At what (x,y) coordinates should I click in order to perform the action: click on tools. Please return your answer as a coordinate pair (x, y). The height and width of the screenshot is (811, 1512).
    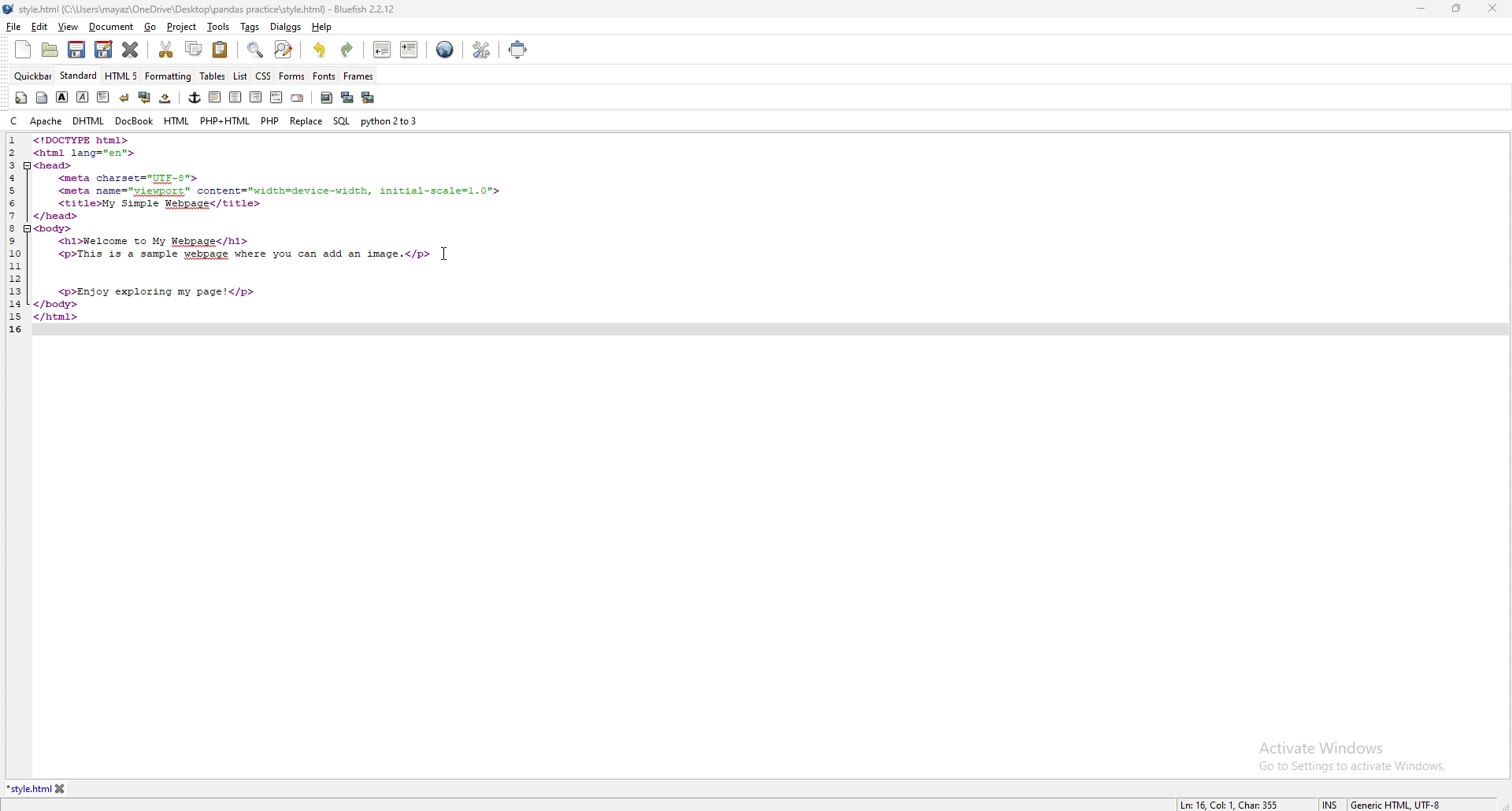
    Looking at the image, I should click on (219, 26).